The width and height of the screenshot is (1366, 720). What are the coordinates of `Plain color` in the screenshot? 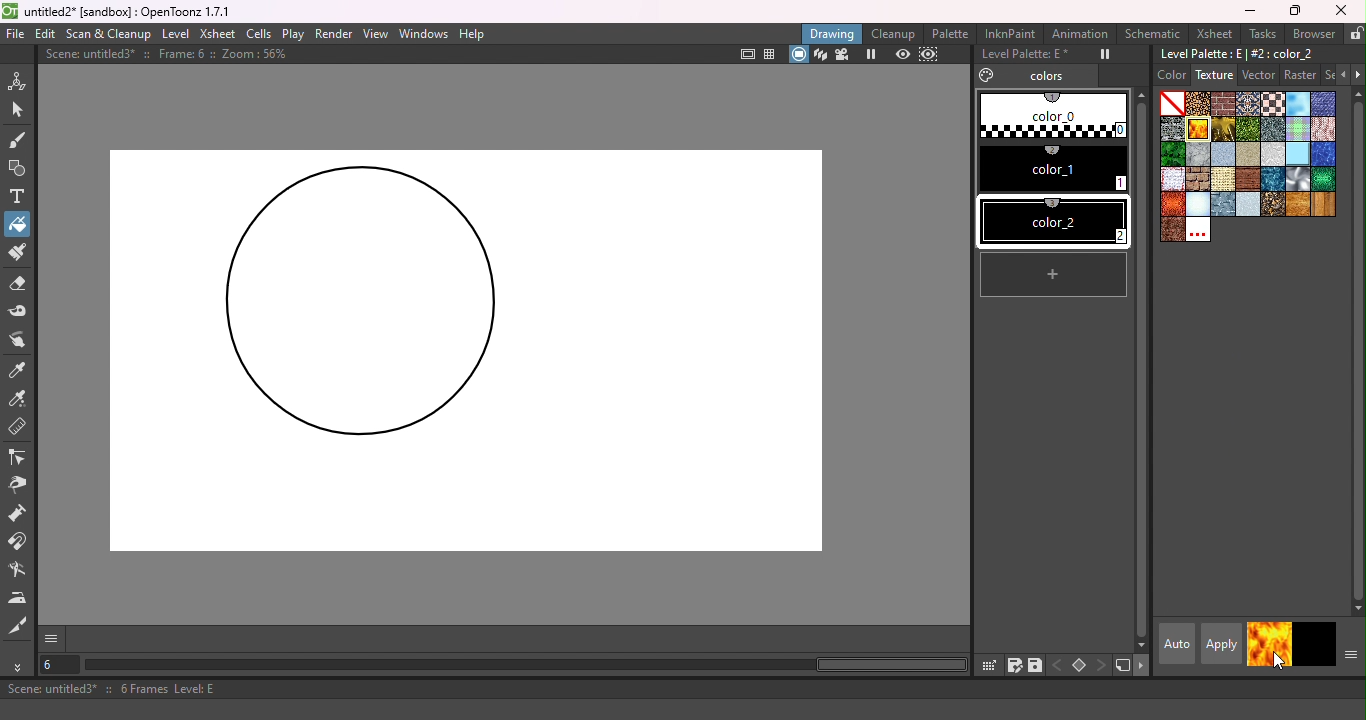 It's located at (1172, 103).